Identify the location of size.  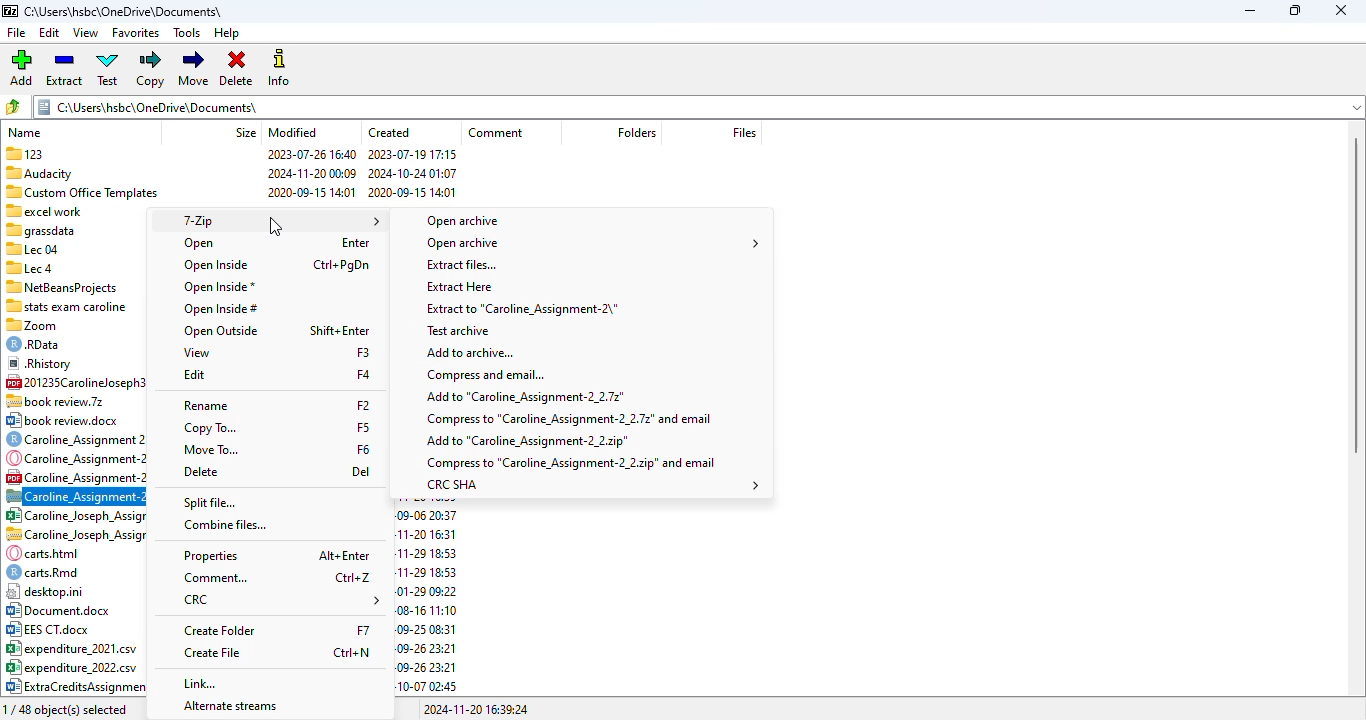
(246, 132).